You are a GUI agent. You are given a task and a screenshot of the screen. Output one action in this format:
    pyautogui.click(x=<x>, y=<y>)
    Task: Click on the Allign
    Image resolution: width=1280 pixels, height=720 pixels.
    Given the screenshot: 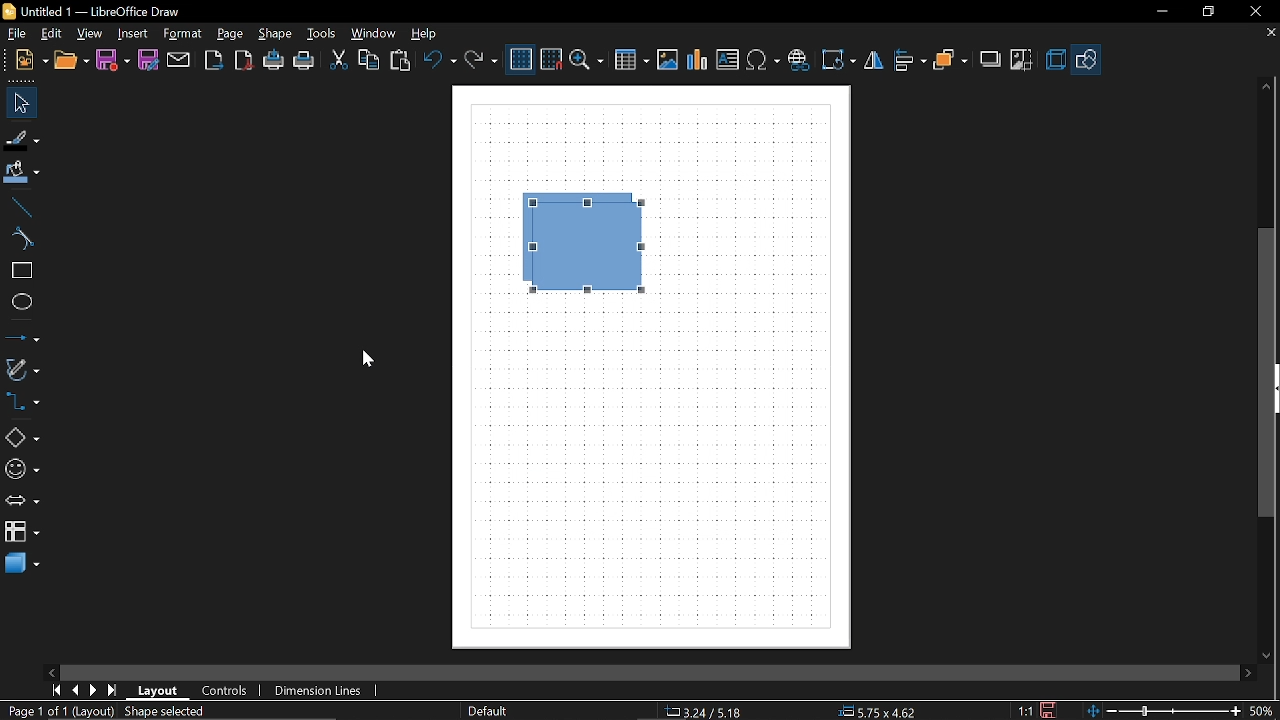 What is the action you would take?
    pyautogui.click(x=910, y=61)
    